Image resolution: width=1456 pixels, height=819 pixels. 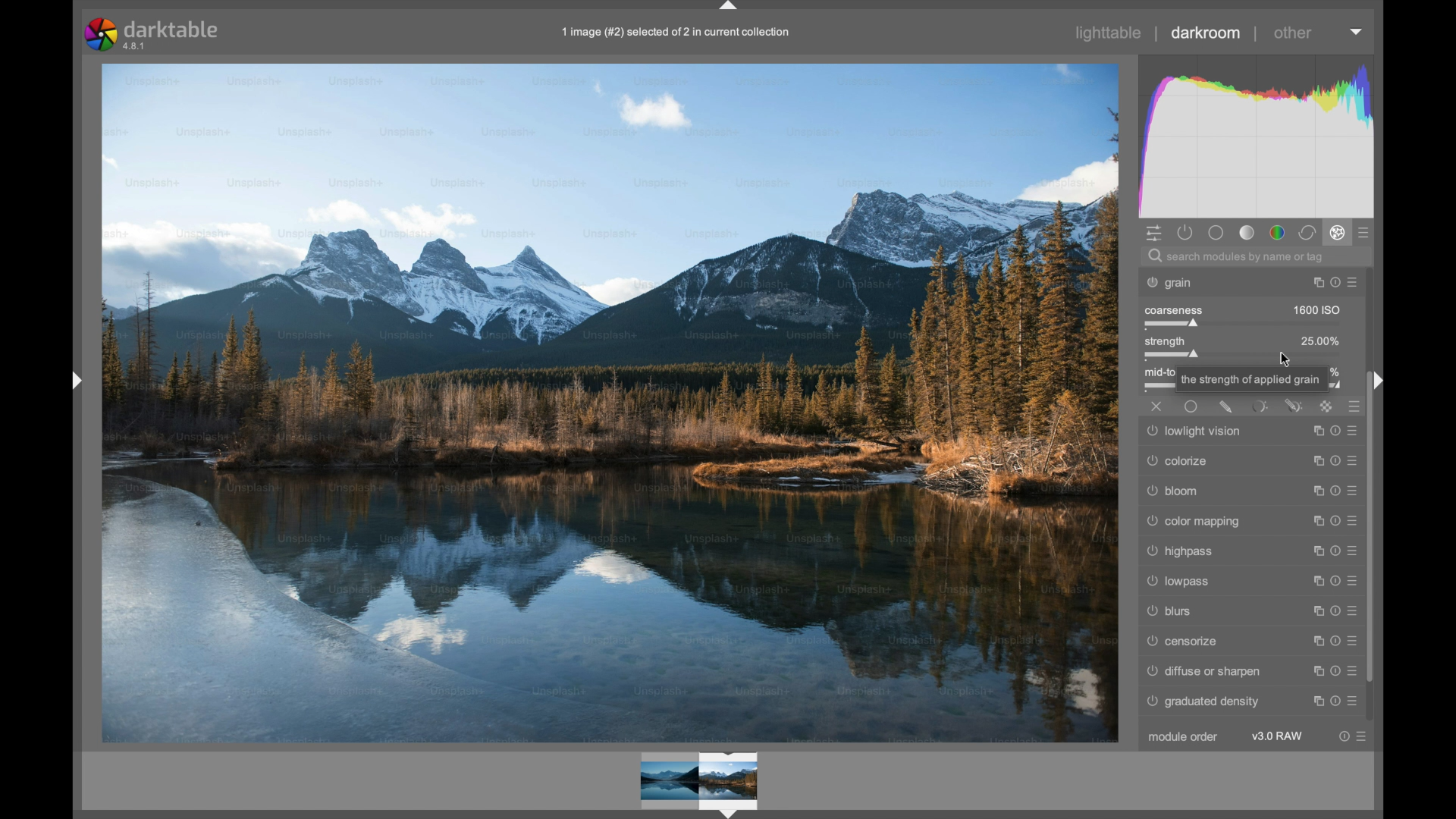 What do you see at coordinates (1335, 671) in the screenshot?
I see `reset parameters` at bounding box center [1335, 671].